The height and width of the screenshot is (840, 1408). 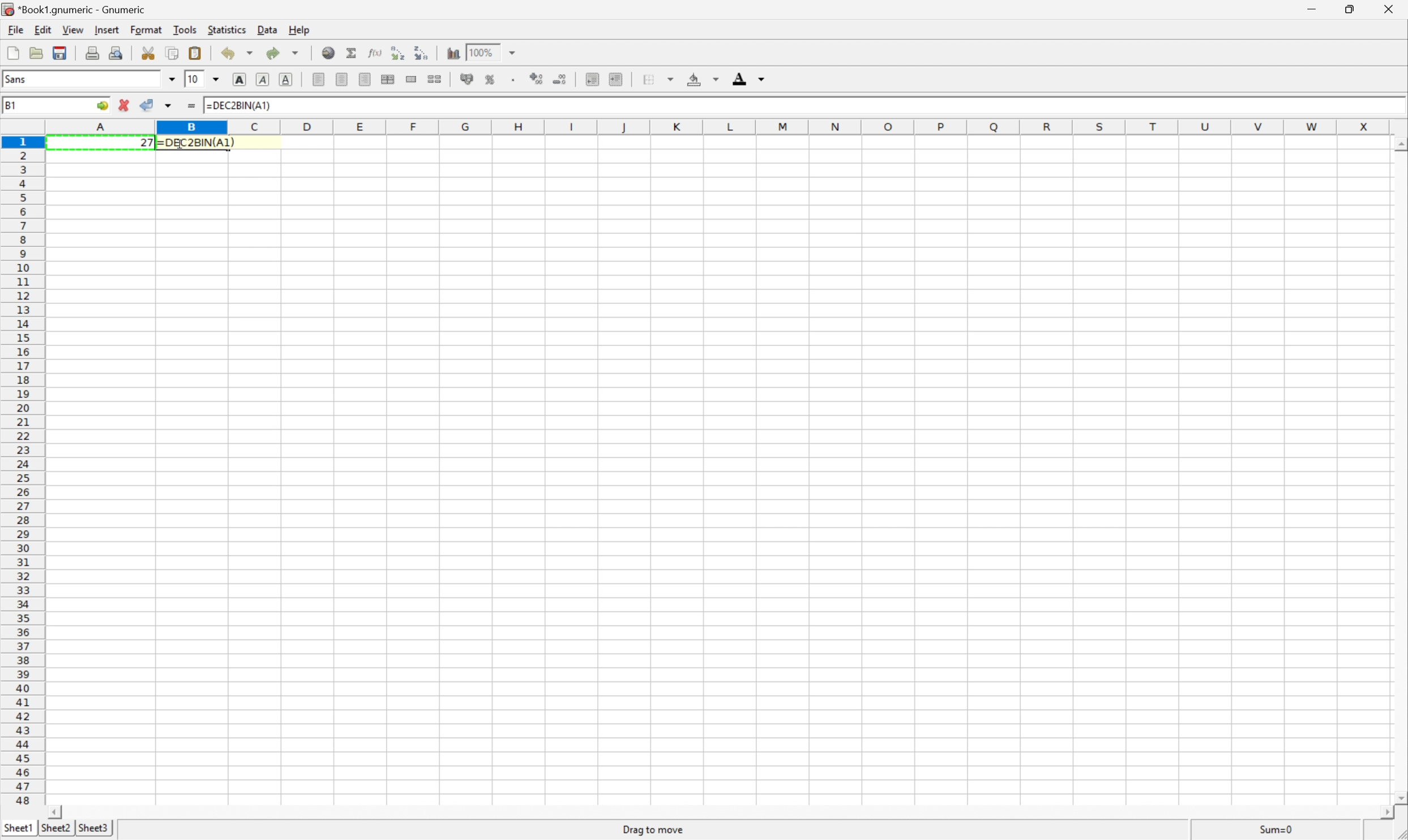 I want to click on Undo, so click(x=238, y=52).